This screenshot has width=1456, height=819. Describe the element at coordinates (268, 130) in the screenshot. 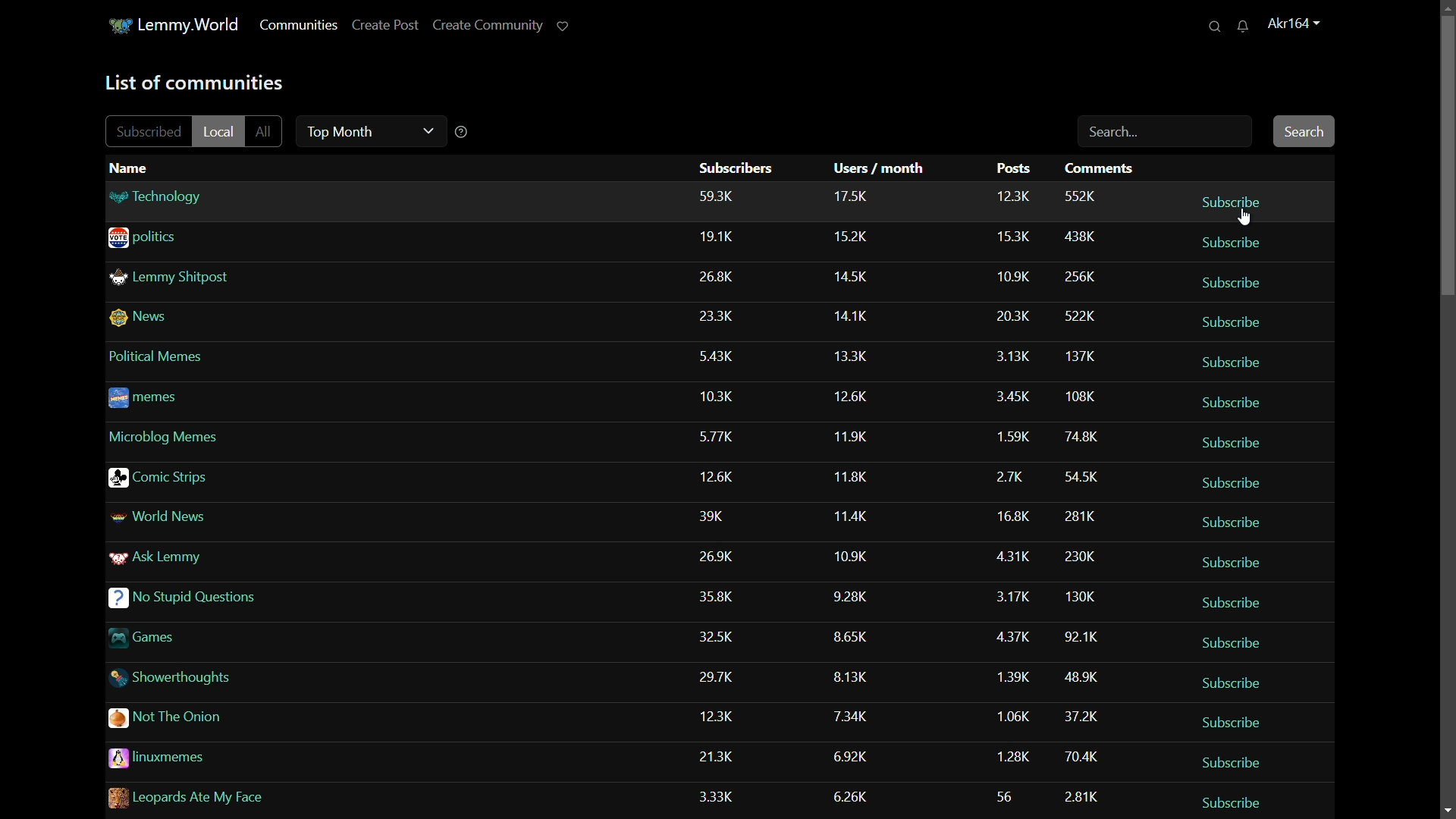

I see `all` at that location.